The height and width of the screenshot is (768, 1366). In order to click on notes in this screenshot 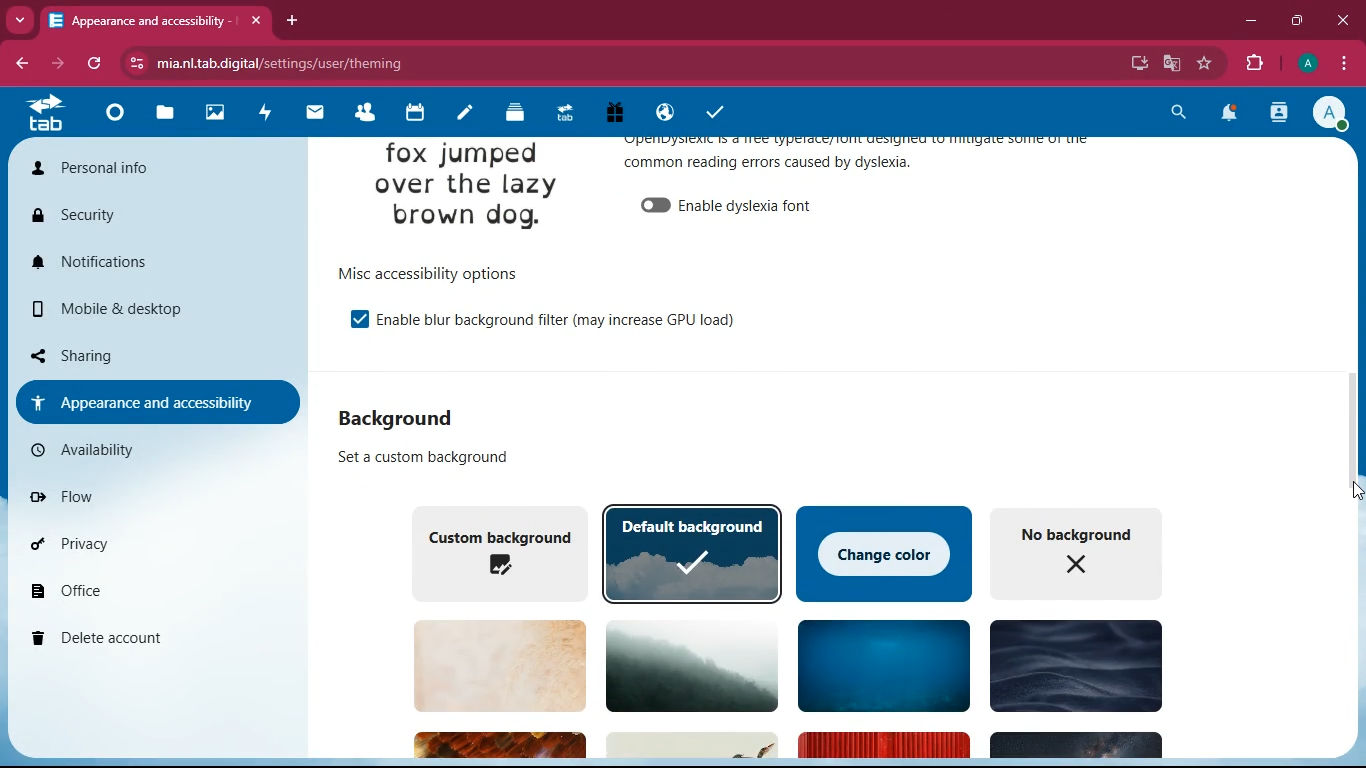, I will do `click(464, 116)`.